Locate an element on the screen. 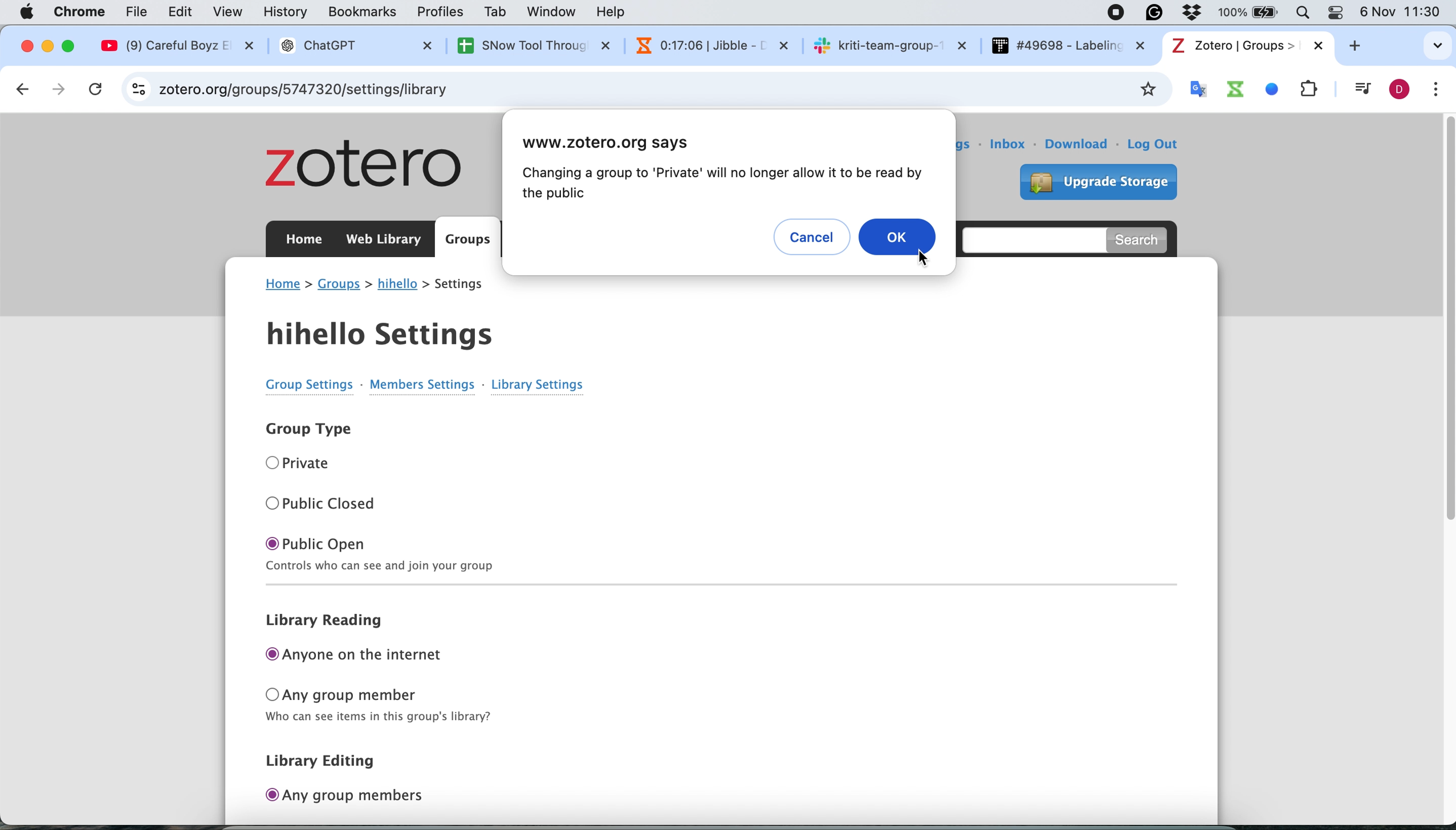 The height and width of the screenshot is (830, 1456). edit is located at coordinates (180, 13).